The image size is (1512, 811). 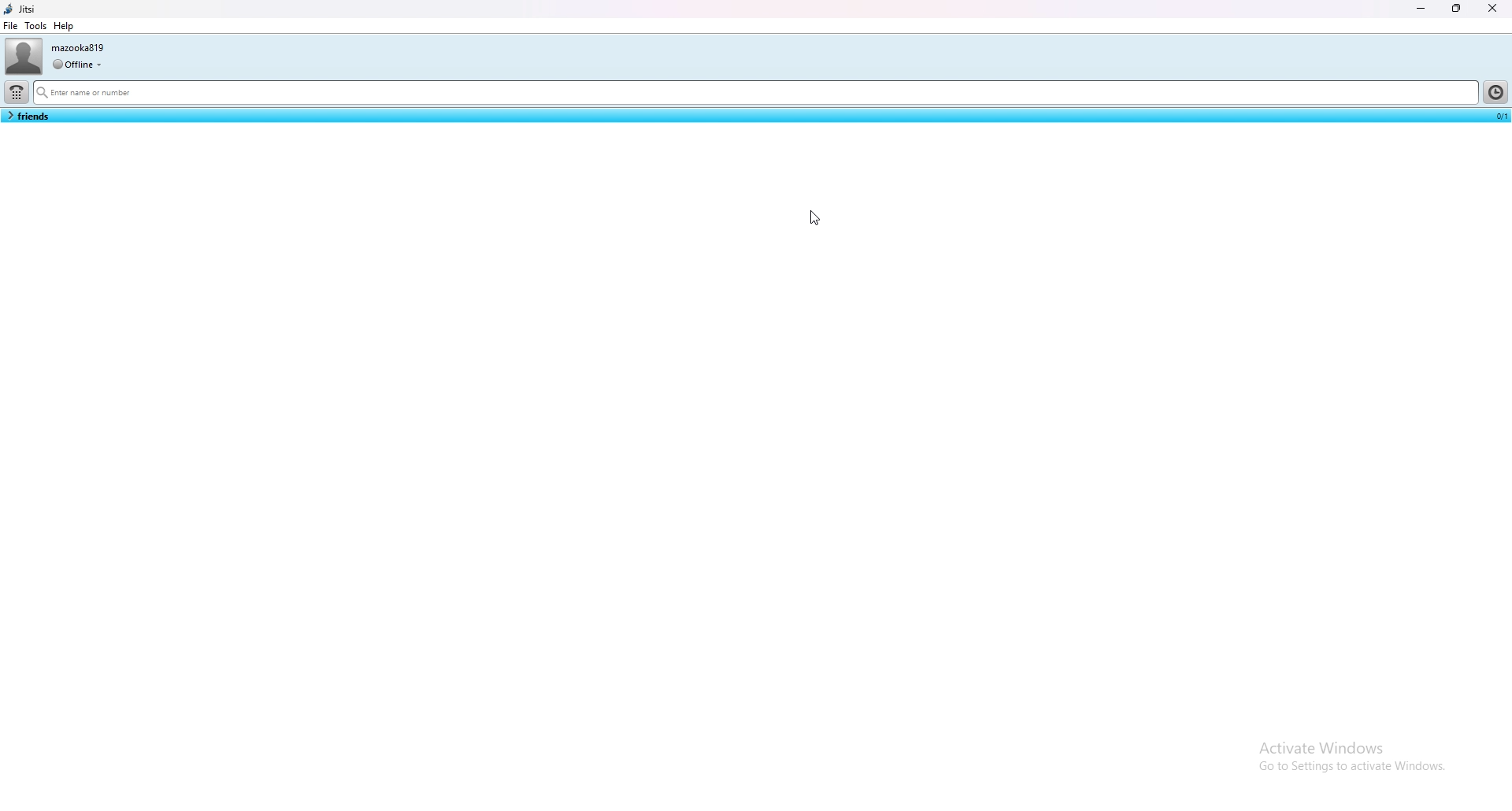 What do you see at coordinates (28, 116) in the screenshot?
I see `contact list` at bounding box center [28, 116].